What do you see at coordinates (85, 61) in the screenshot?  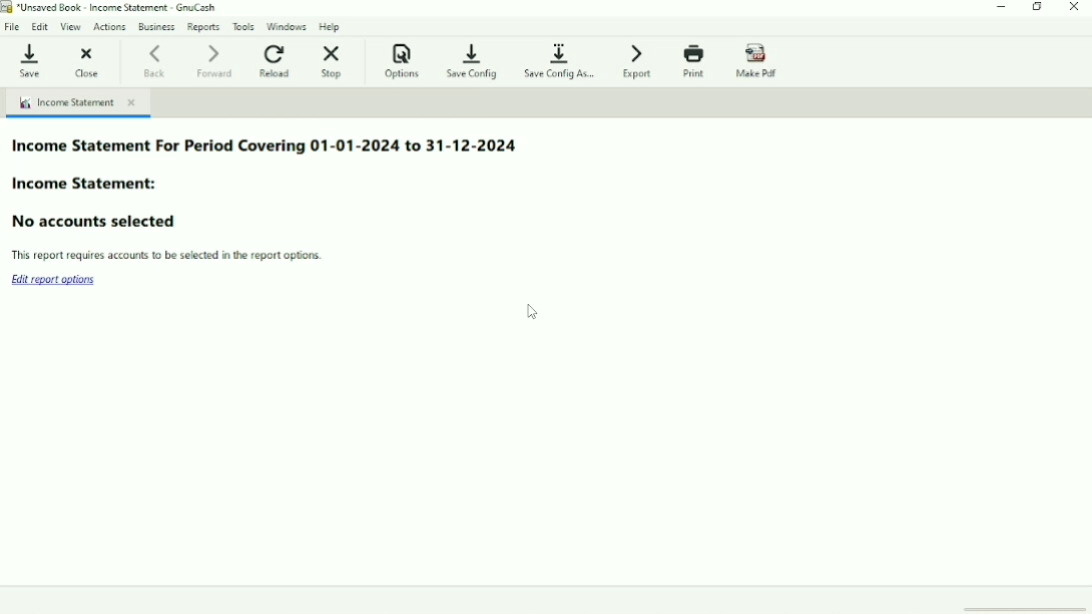 I see `Close` at bounding box center [85, 61].